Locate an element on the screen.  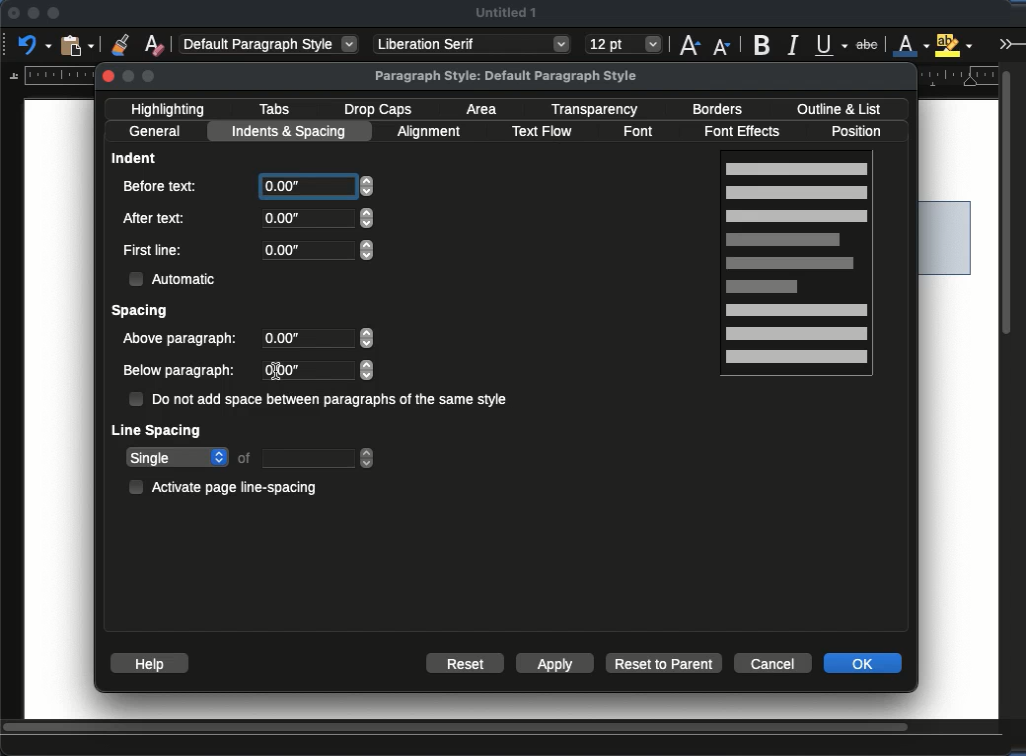
single is located at coordinates (177, 459).